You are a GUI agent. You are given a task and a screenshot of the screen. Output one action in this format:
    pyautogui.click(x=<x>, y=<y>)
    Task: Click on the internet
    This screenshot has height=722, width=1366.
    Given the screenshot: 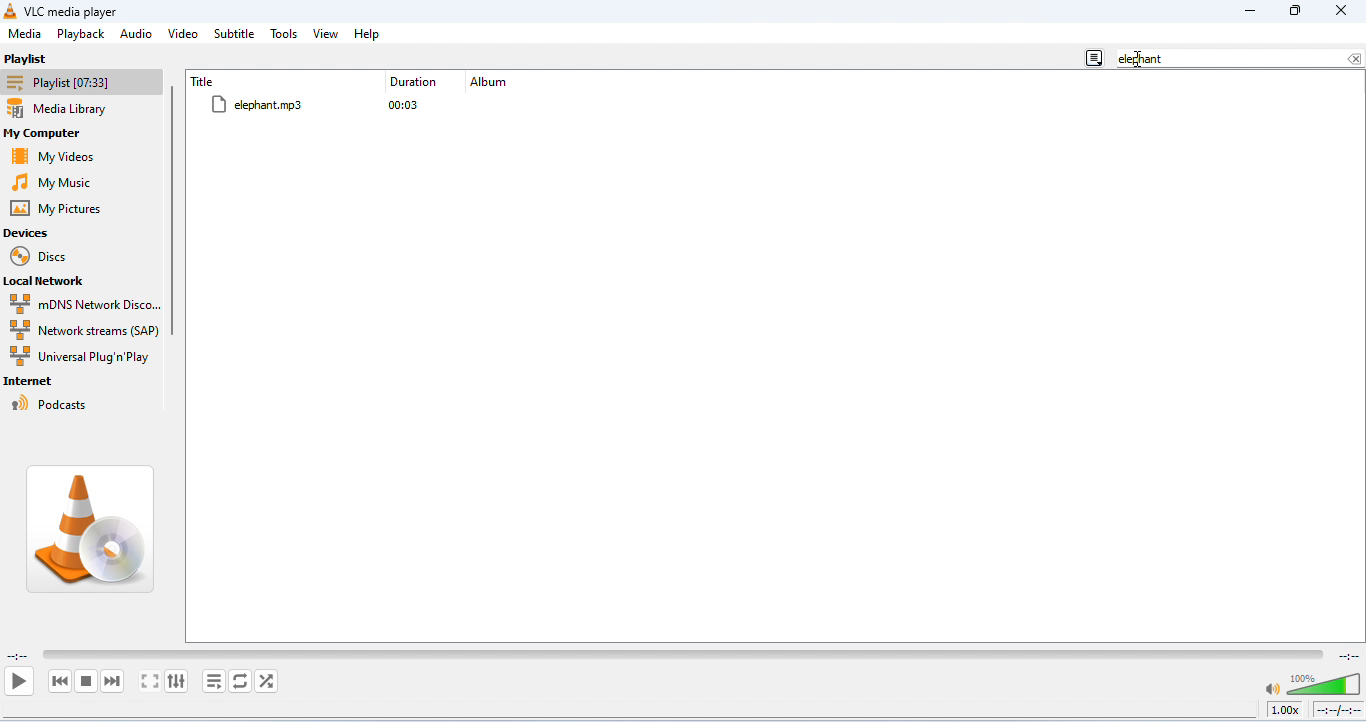 What is the action you would take?
    pyautogui.click(x=33, y=382)
    